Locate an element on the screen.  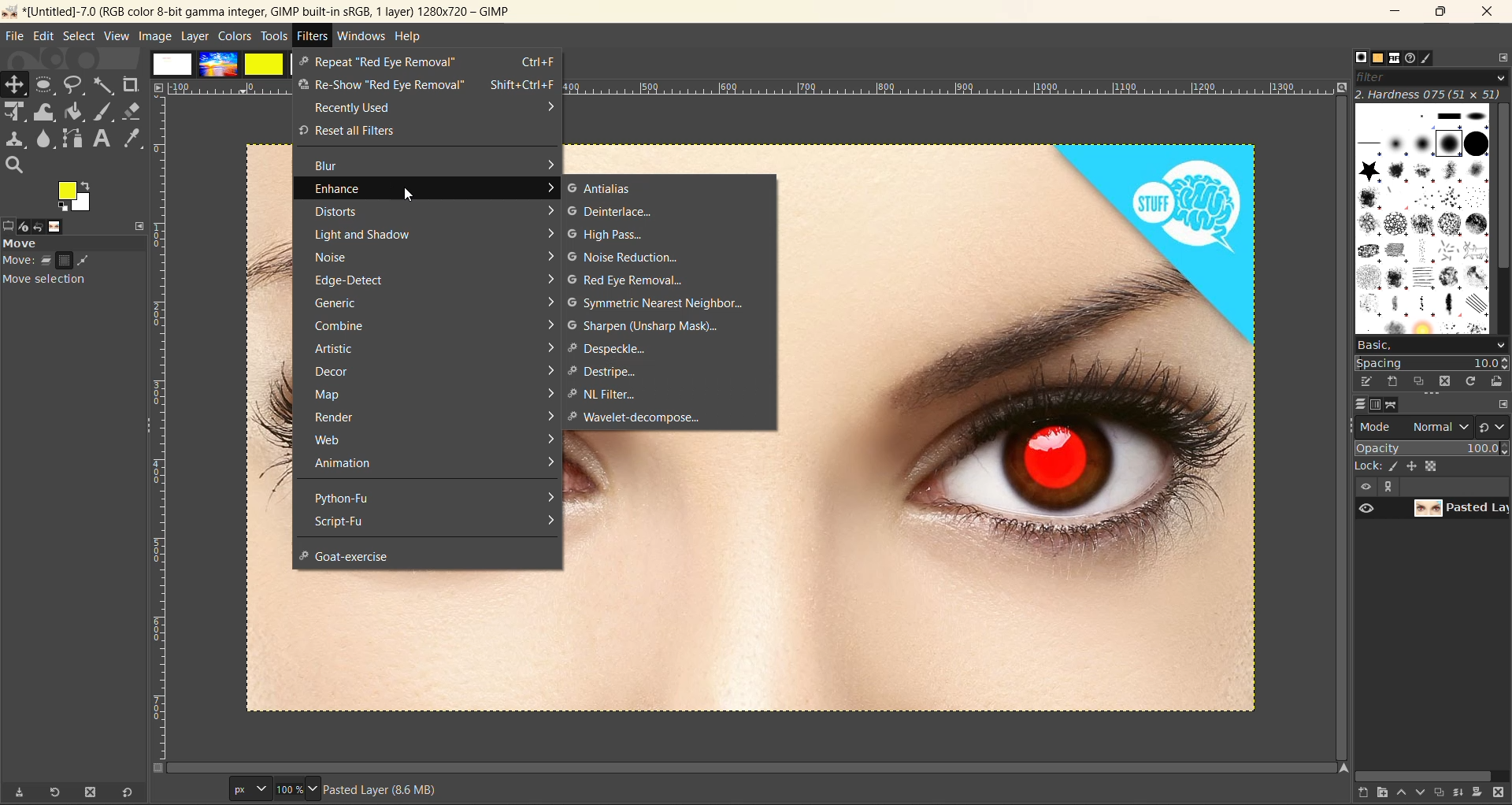
edit is located at coordinates (41, 36).